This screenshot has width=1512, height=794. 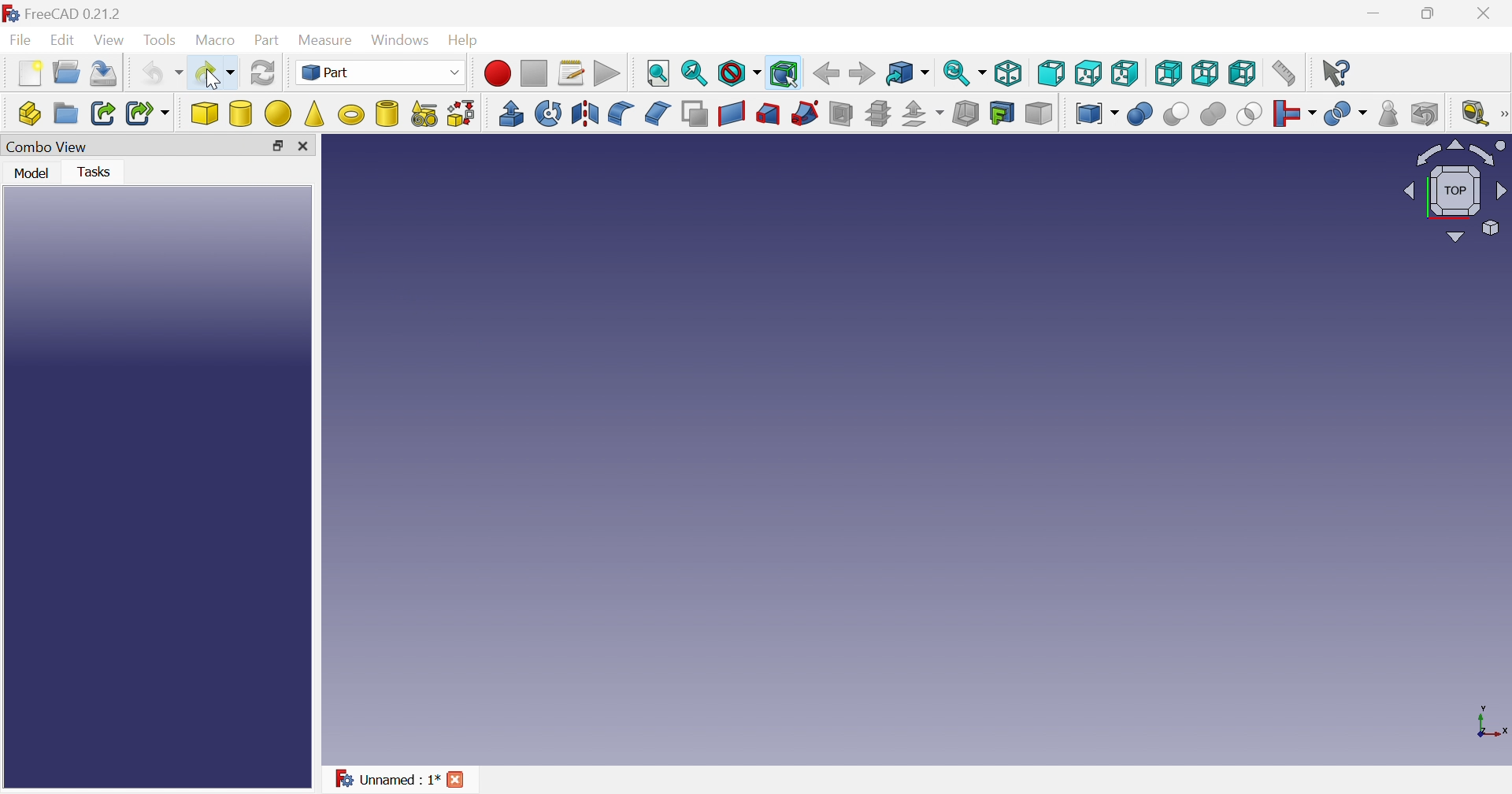 What do you see at coordinates (1336, 73) in the screenshot?
I see `What's this` at bounding box center [1336, 73].